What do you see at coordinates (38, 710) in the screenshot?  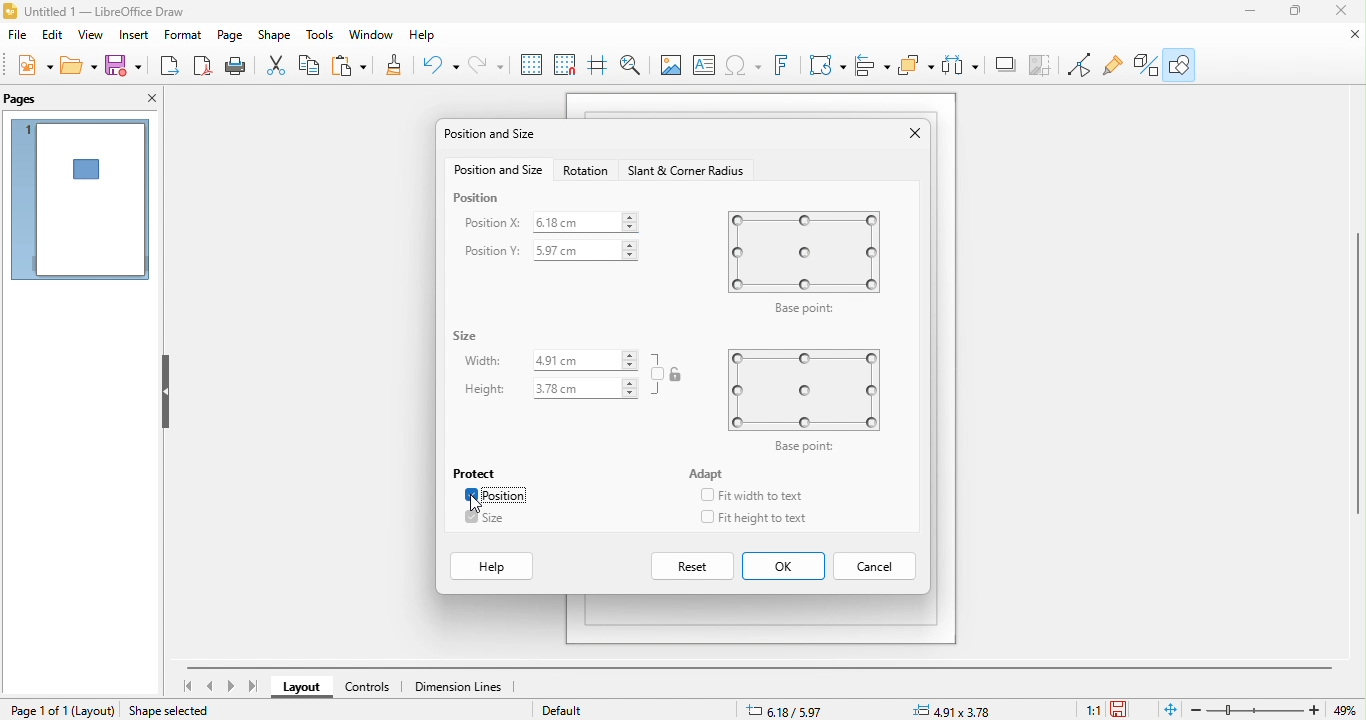 I see `page 1 of 1` at bounding box center [38, 710].